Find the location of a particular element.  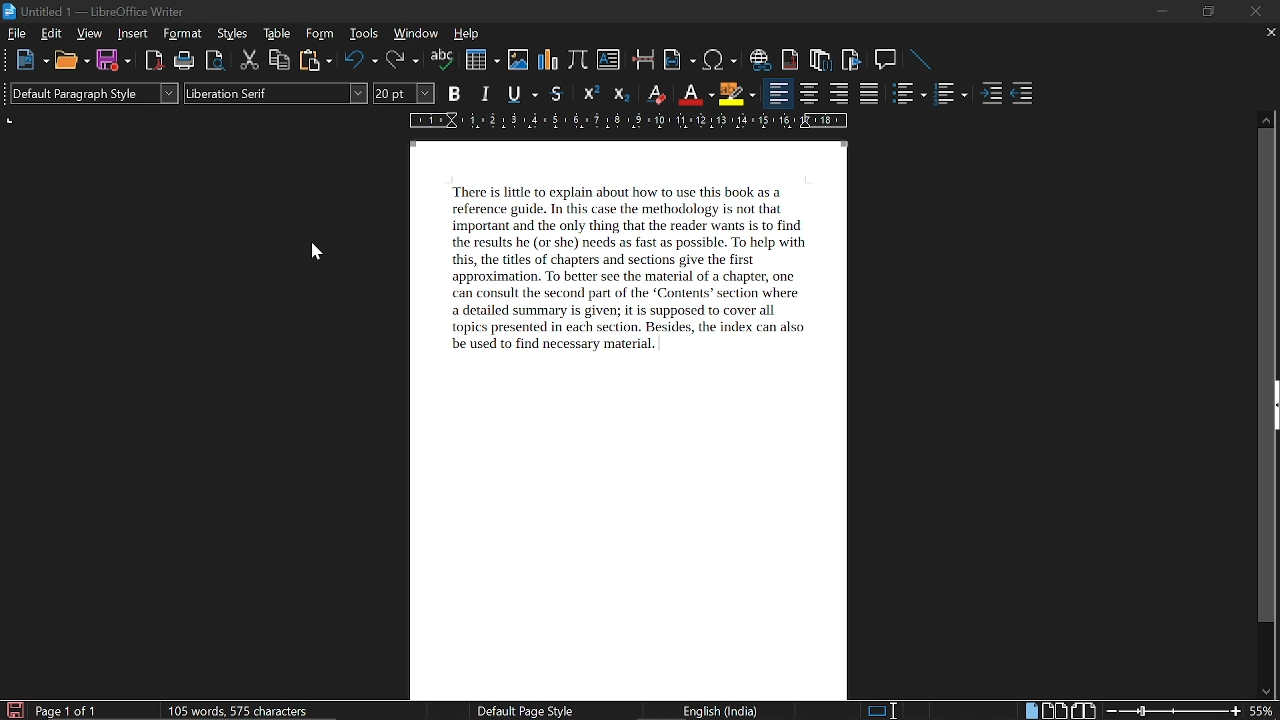

italic is located at coordinates (486, 92).